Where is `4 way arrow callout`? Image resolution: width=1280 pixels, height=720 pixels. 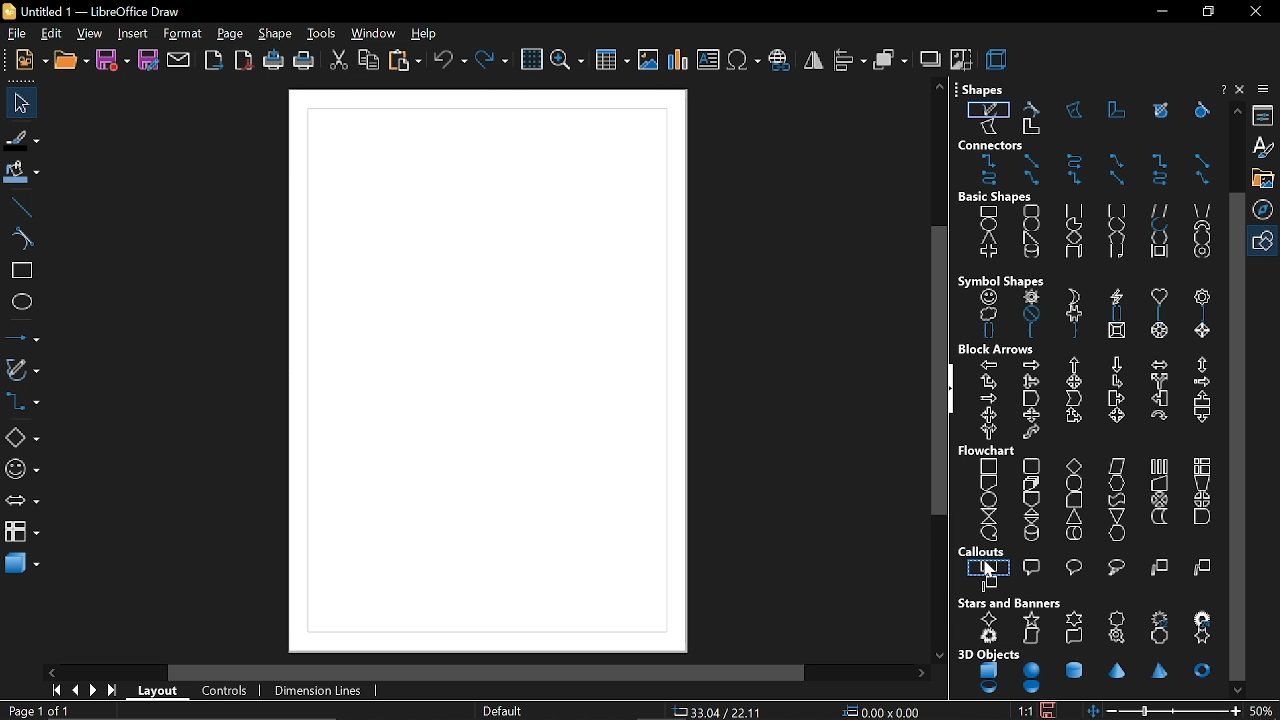 4 way arrow callout is located at coordinates (1115, 416).